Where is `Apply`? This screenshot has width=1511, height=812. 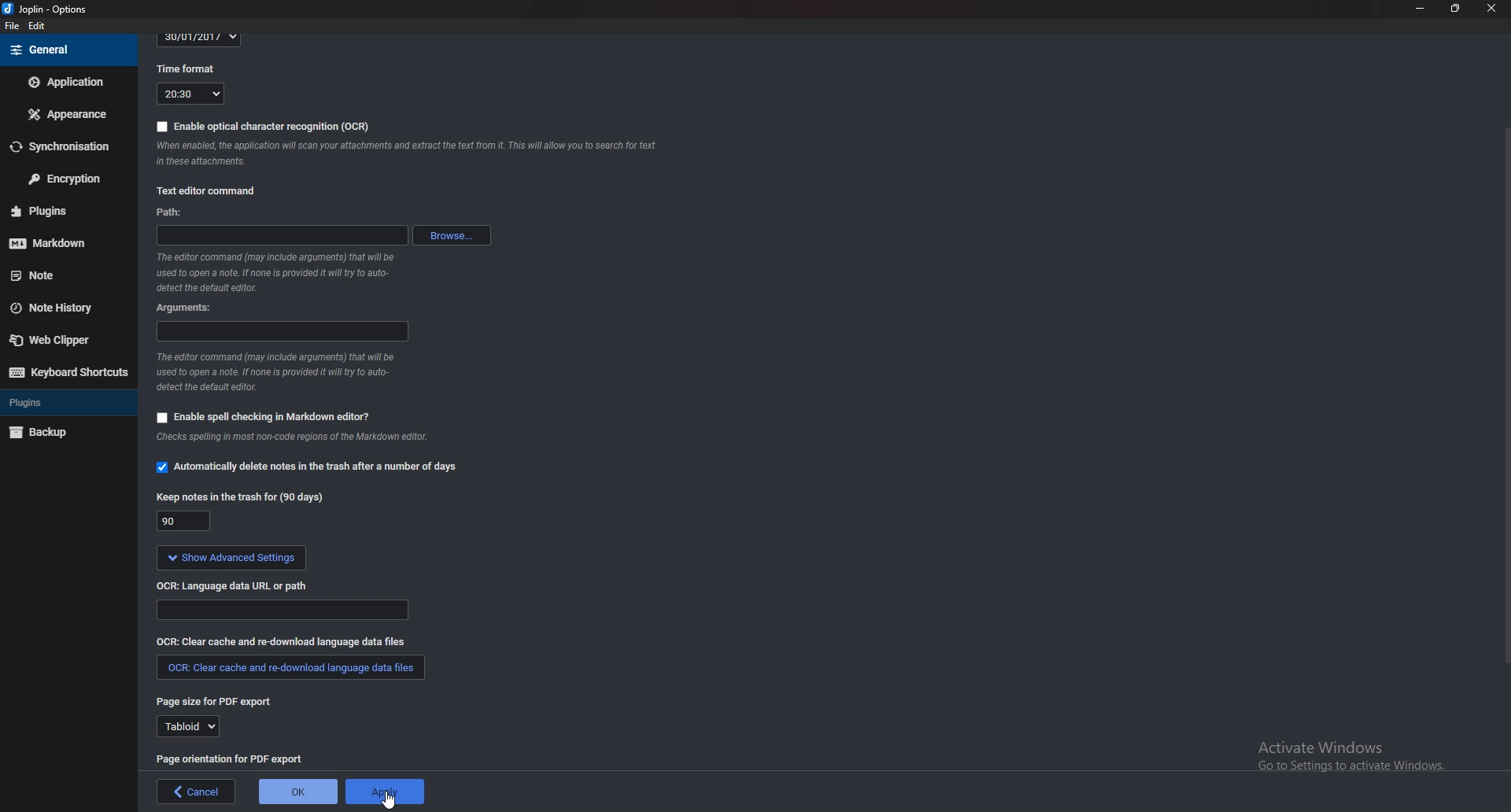
Apply is located at coordinates (385, 792).